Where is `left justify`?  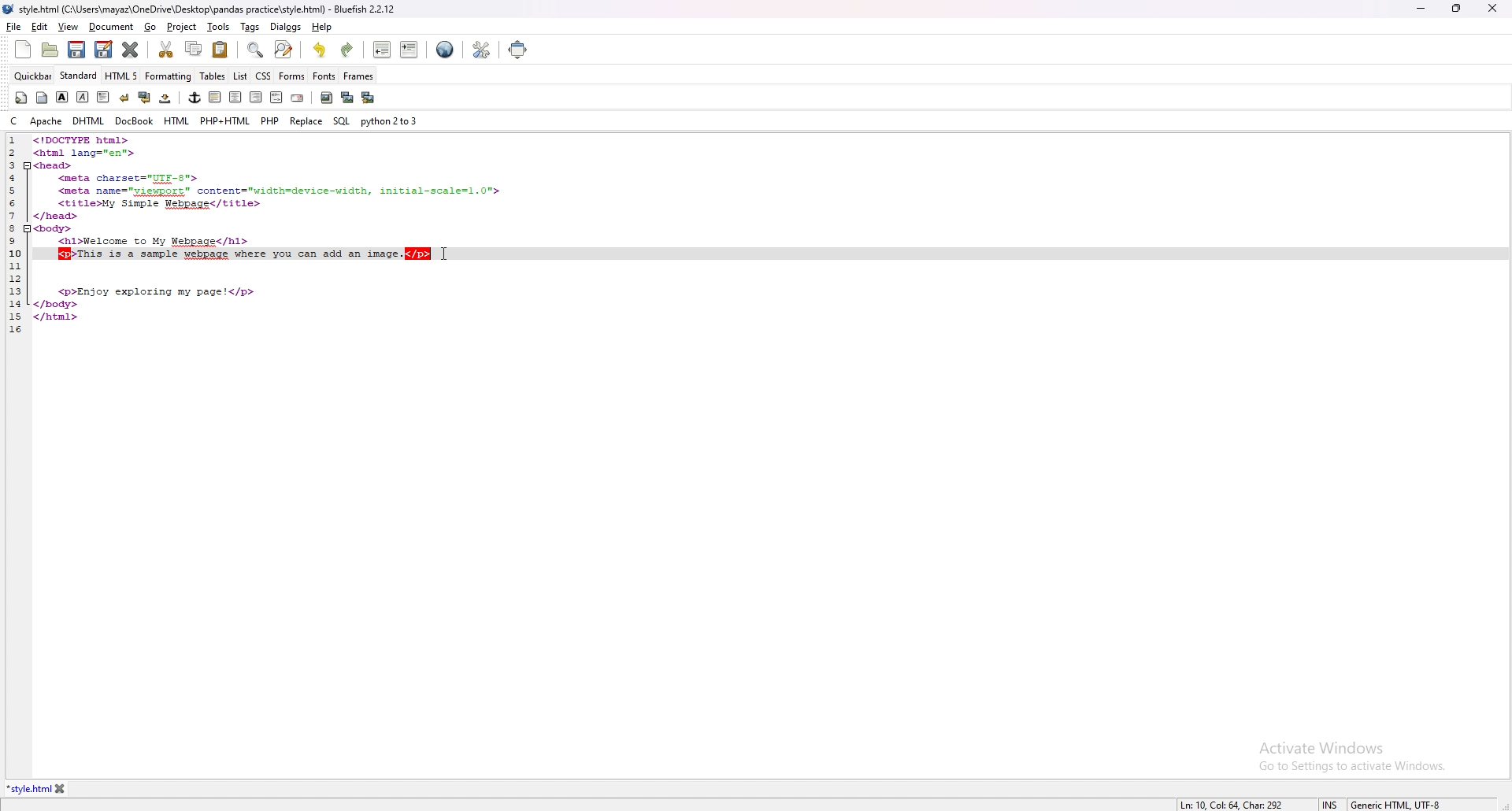
left justify is located at coordinates (216, 98).